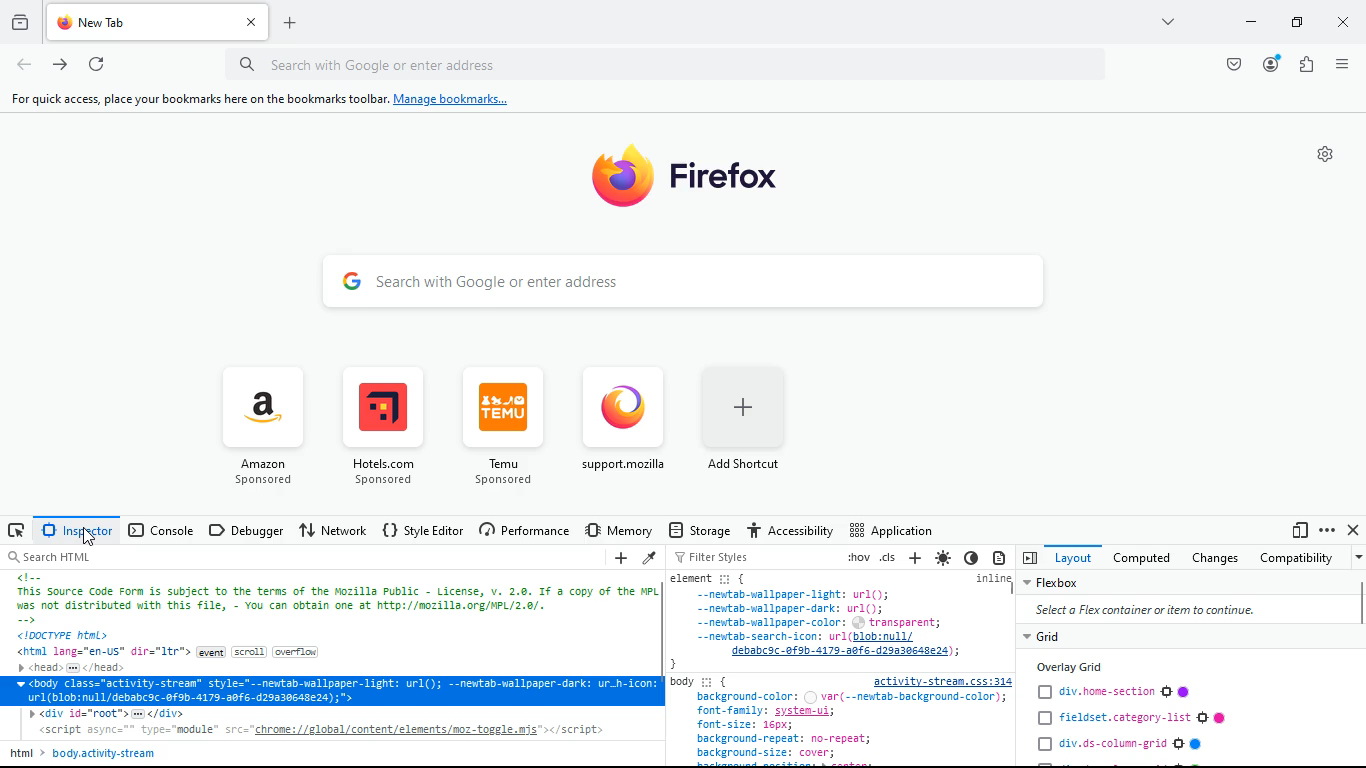 Image resolution: width=1366 pixels, height=768 pixels. I want to click on add, so click(621, 560).